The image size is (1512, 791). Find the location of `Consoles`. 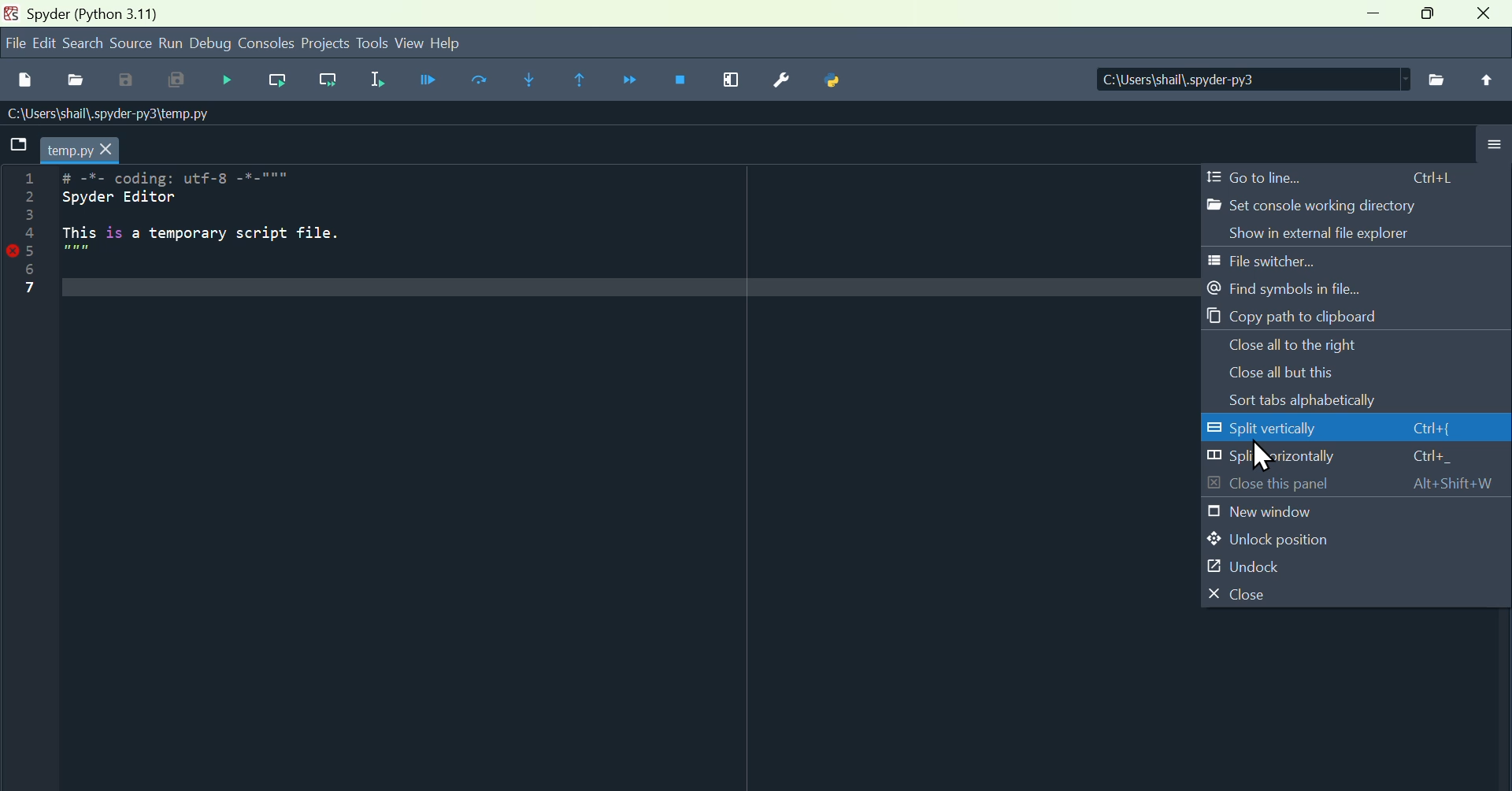

Consoles is located at coordinates (269, 47).